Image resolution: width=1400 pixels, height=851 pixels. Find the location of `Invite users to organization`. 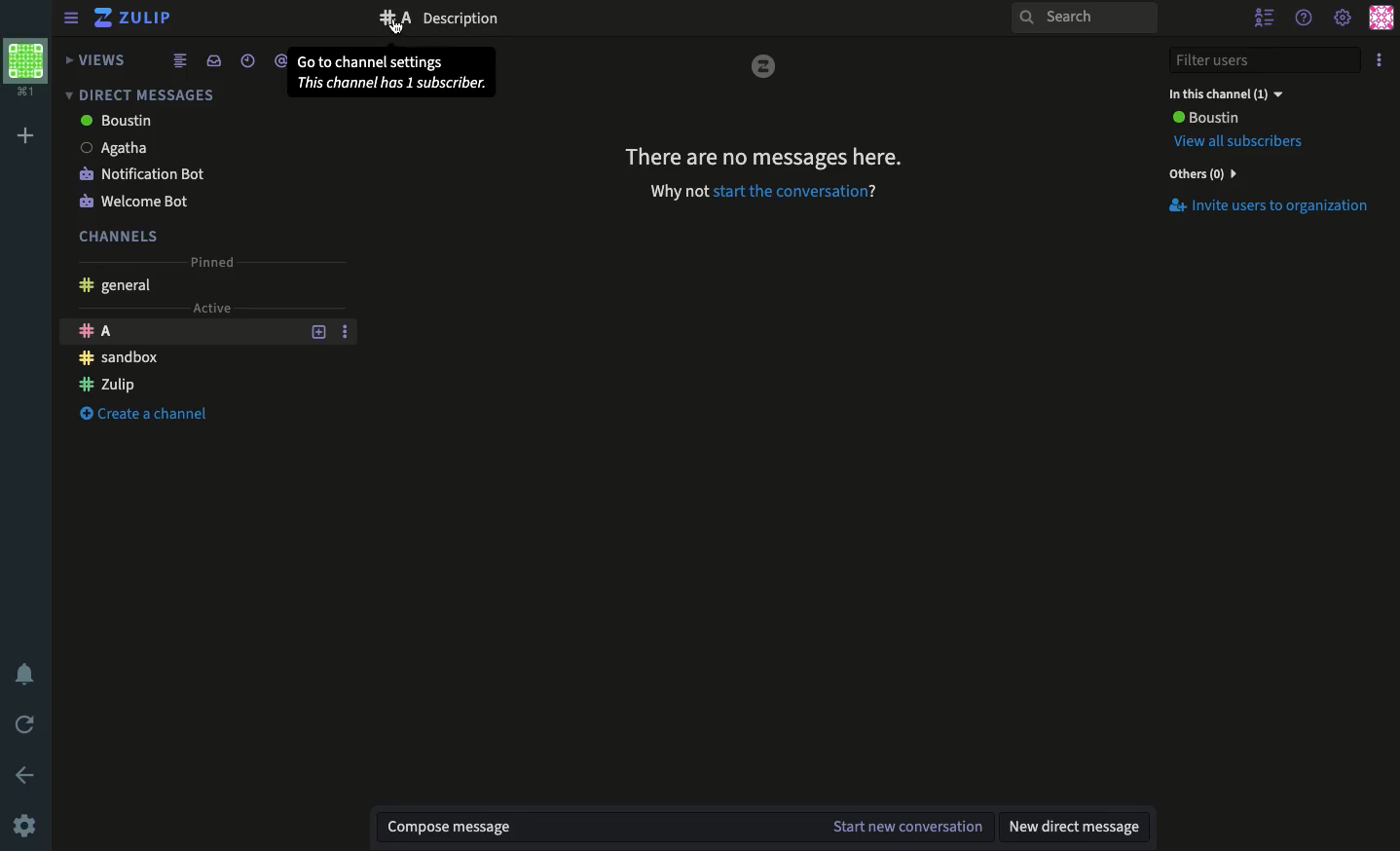

Invite users to organization is located at coordinates (1268, 205).